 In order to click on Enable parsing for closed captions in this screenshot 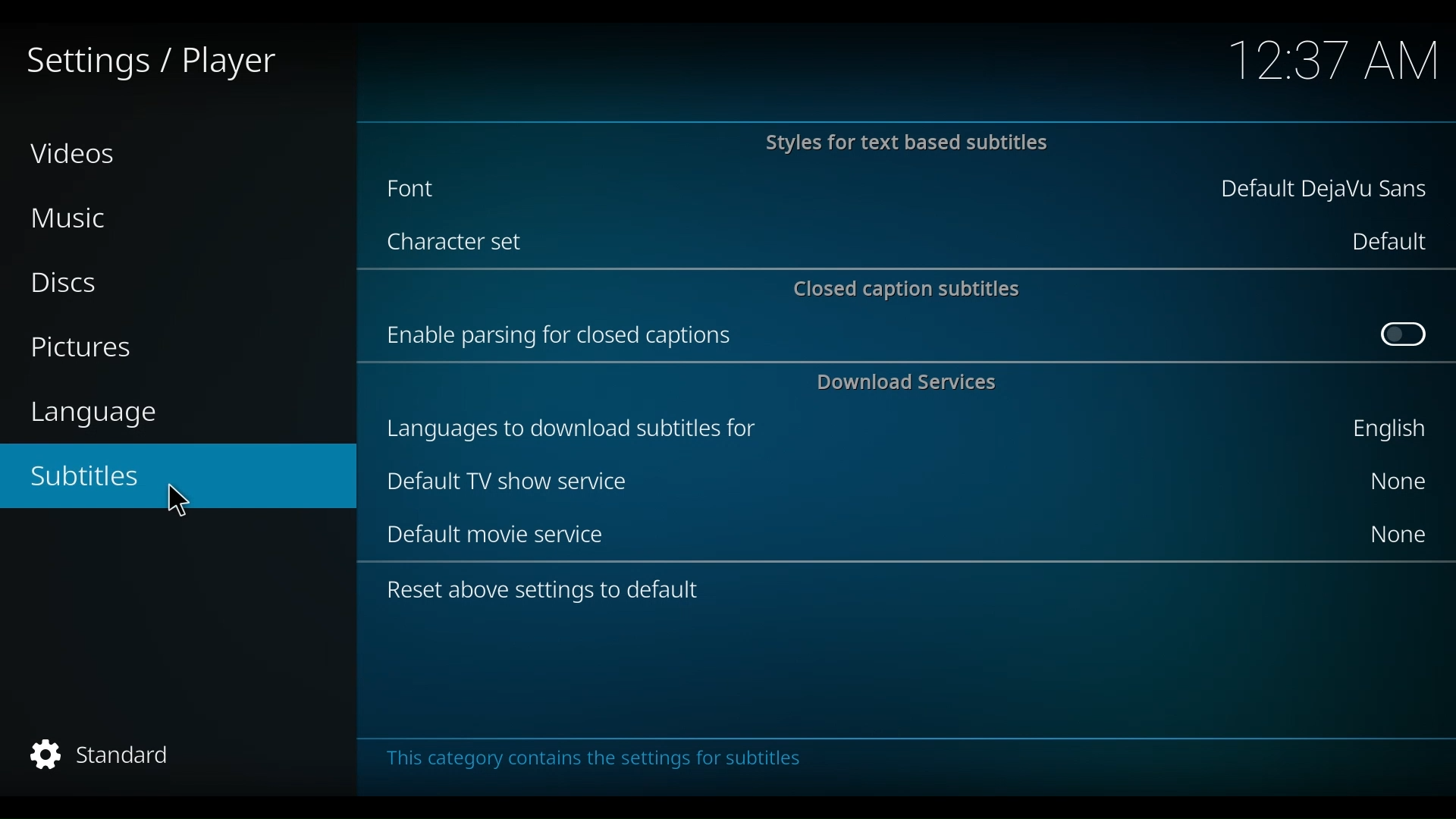, I will do `click(563, 335)`.